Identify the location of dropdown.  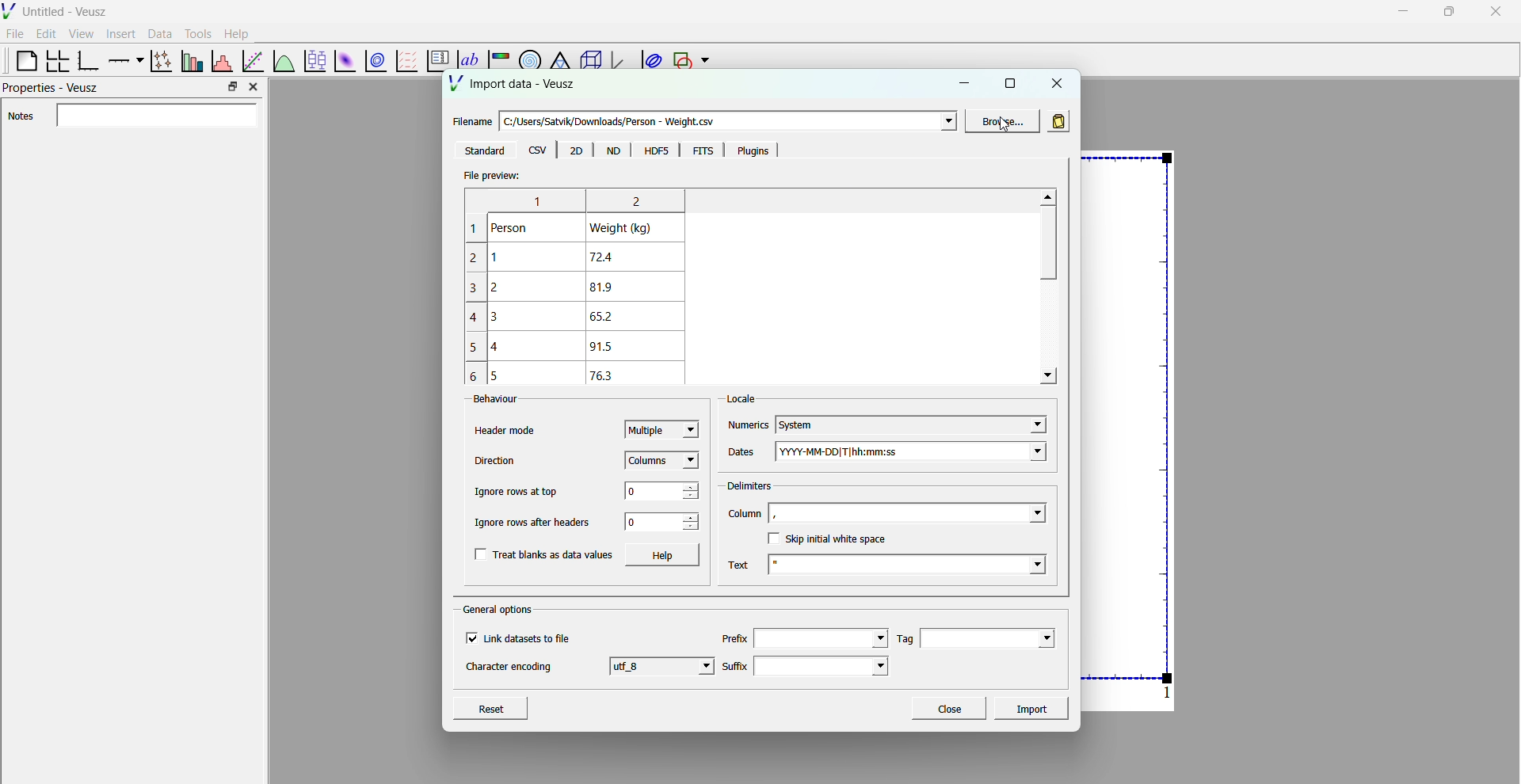
(705, 61).